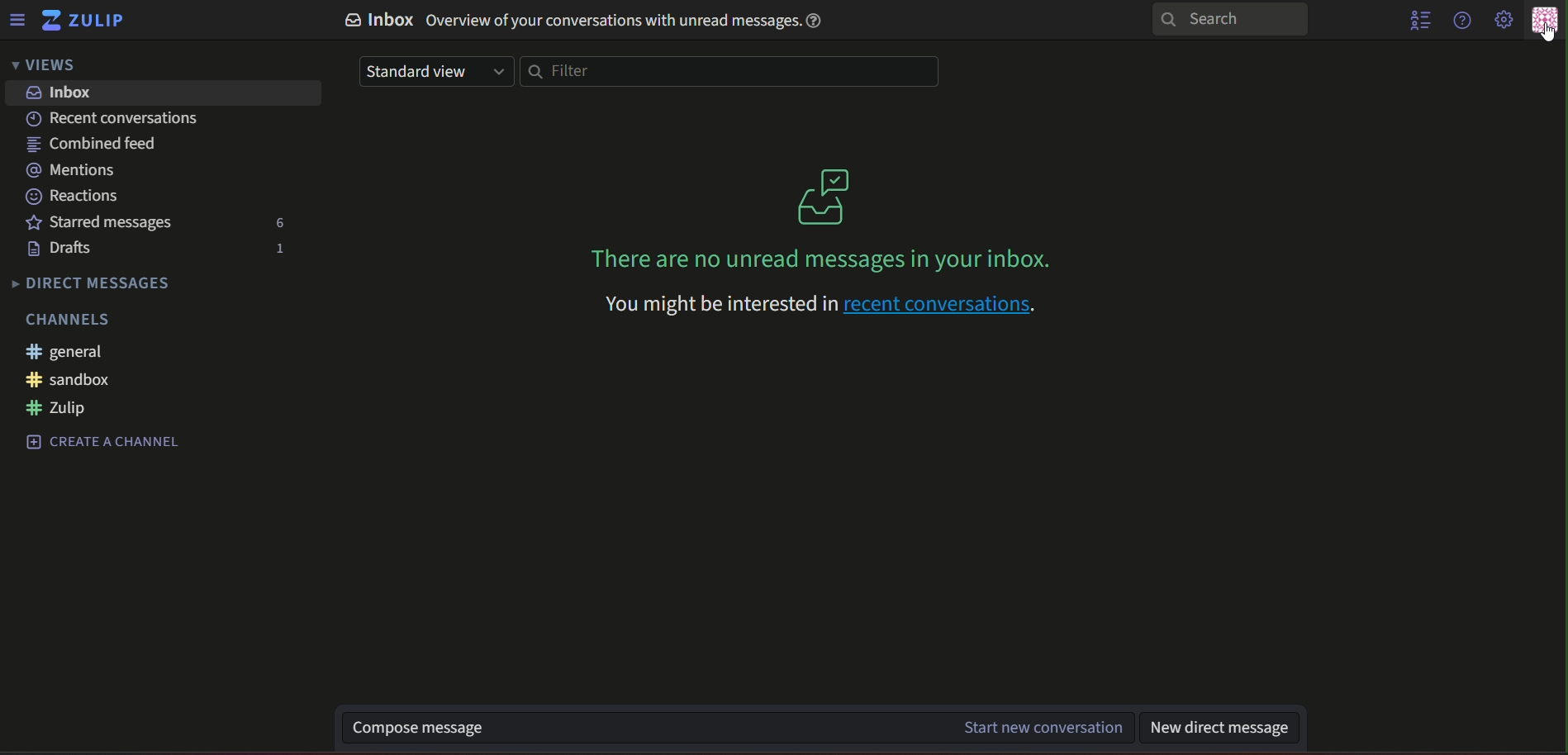  Describe the element at coordinates (69, 321) in the screenshot. I see `text` at that location.